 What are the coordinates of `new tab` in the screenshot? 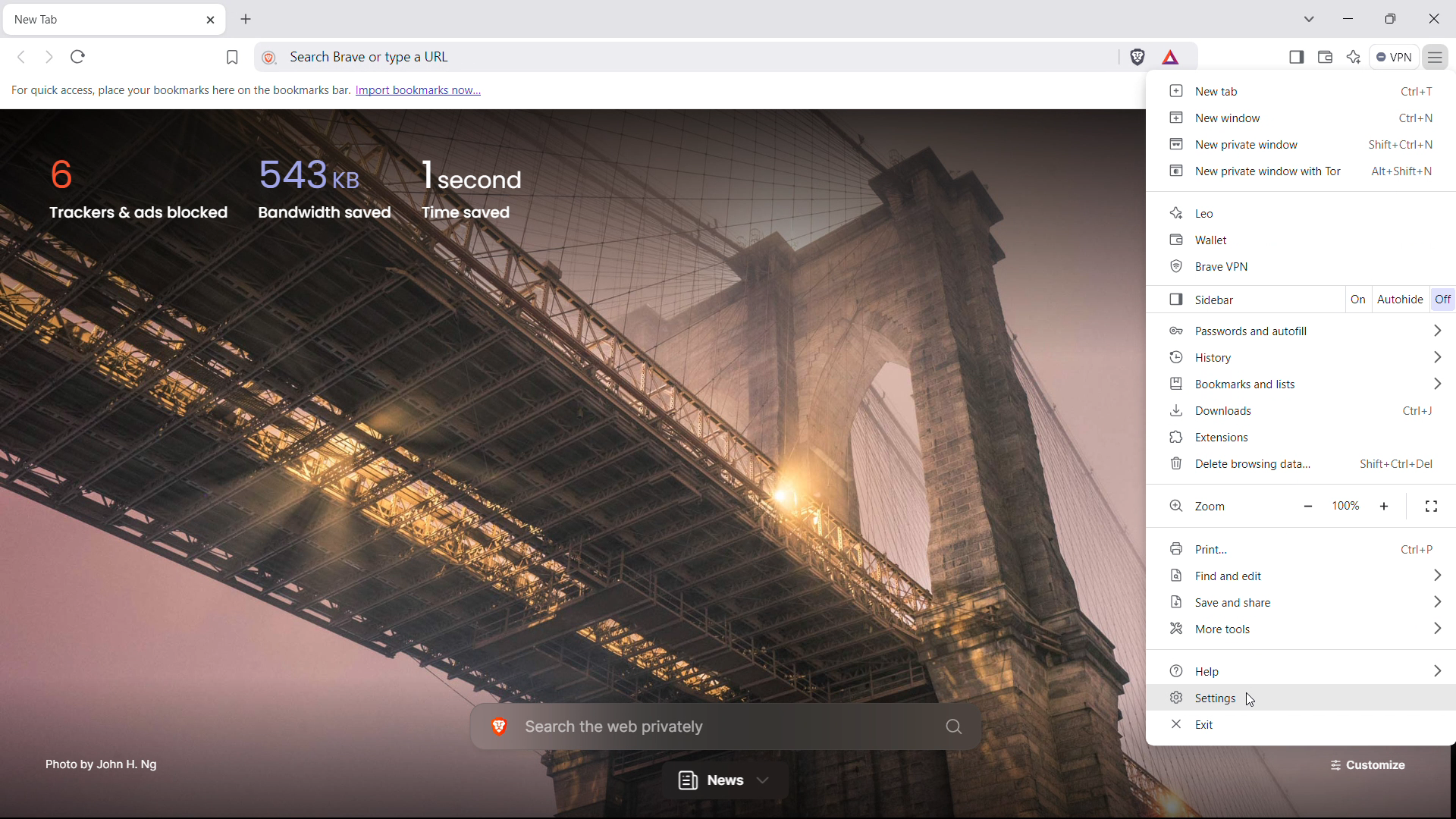 It's located at (1301, 90).